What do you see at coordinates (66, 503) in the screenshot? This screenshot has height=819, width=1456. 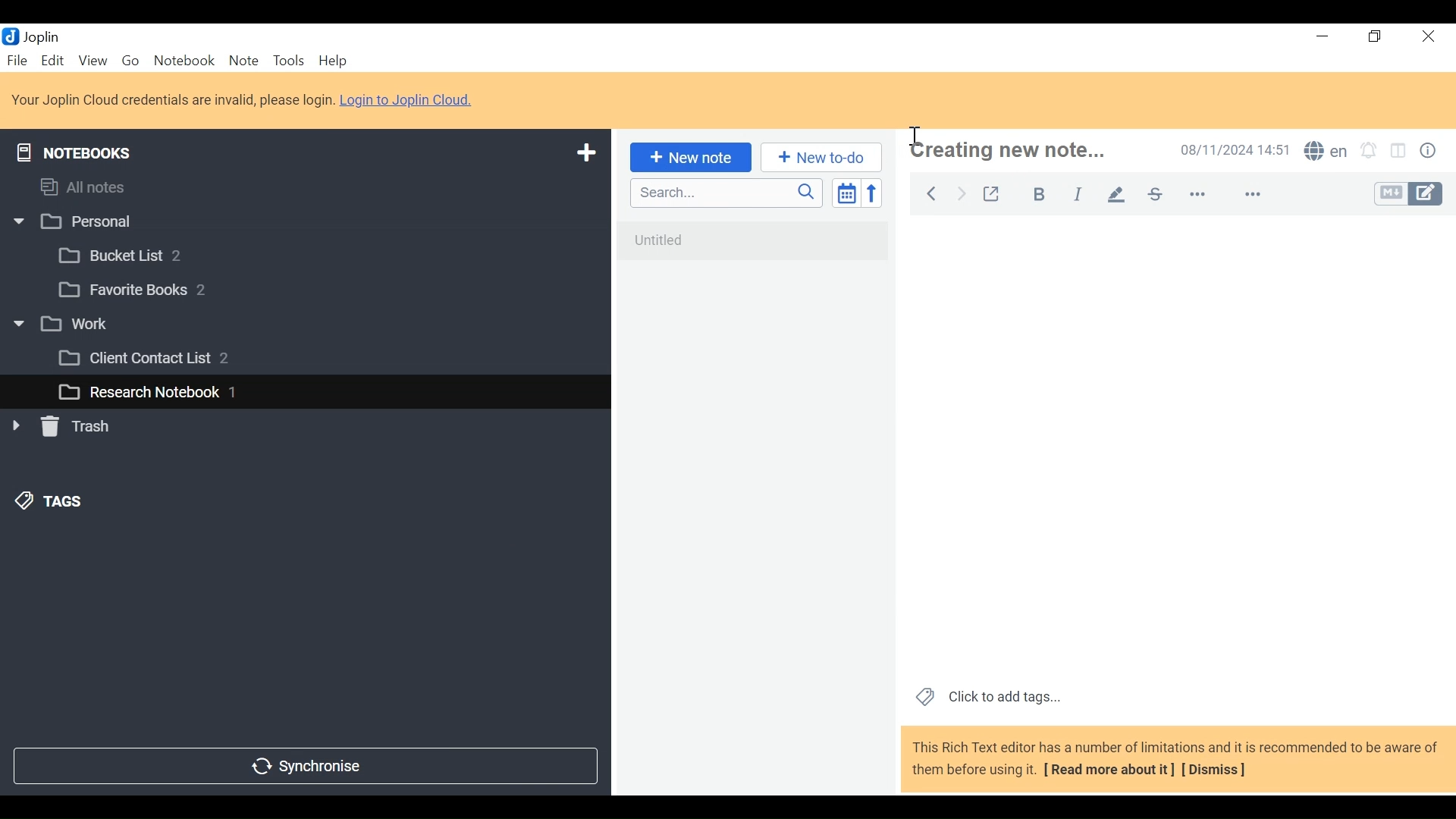 I see `&) TAGS` at bounding box center [66, 503].